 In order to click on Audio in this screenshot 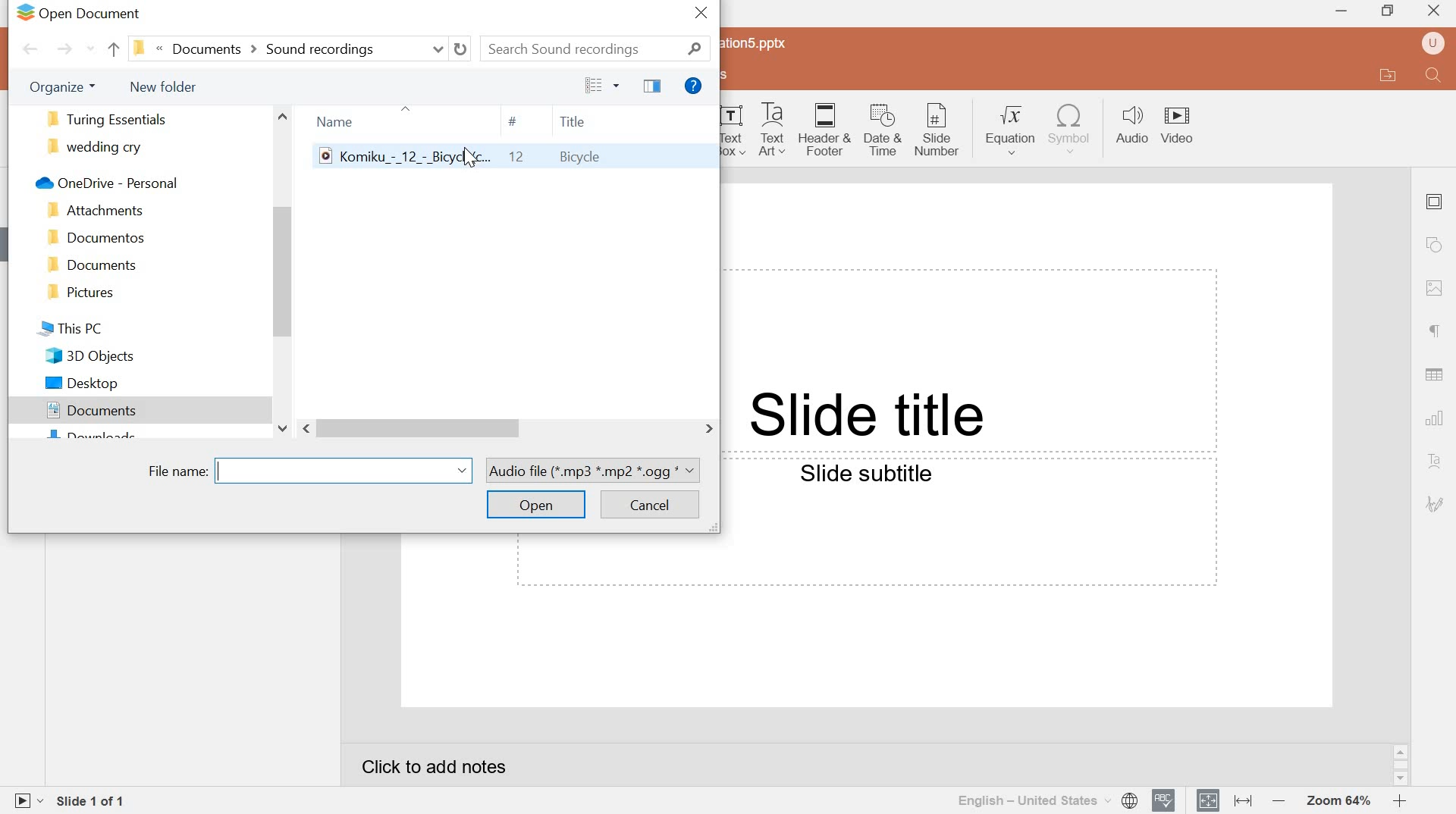, I will do `click(1129, 124)`.